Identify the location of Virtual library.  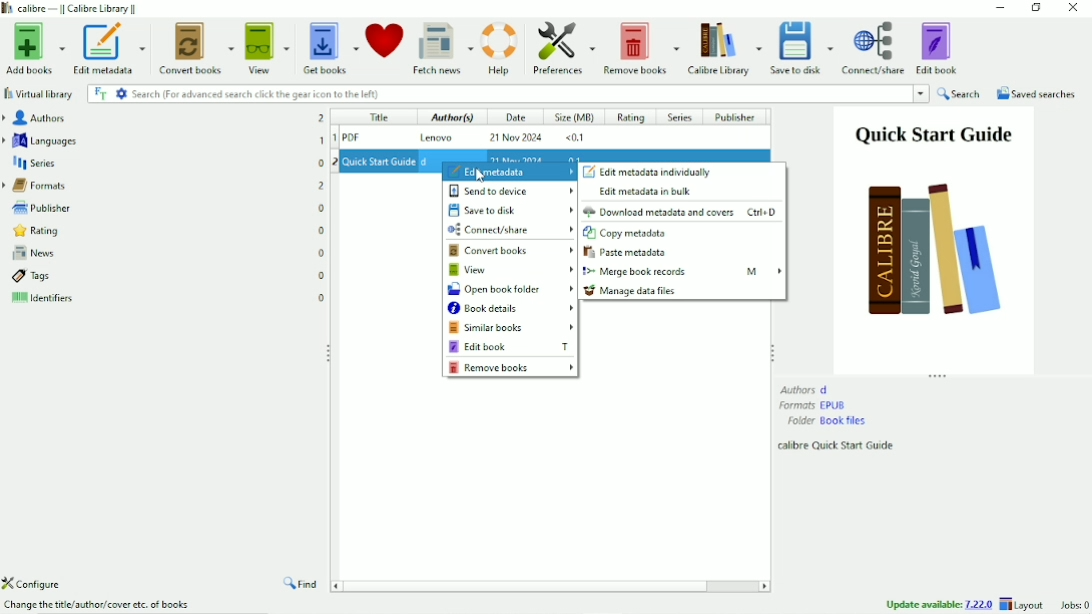
(40, 94).